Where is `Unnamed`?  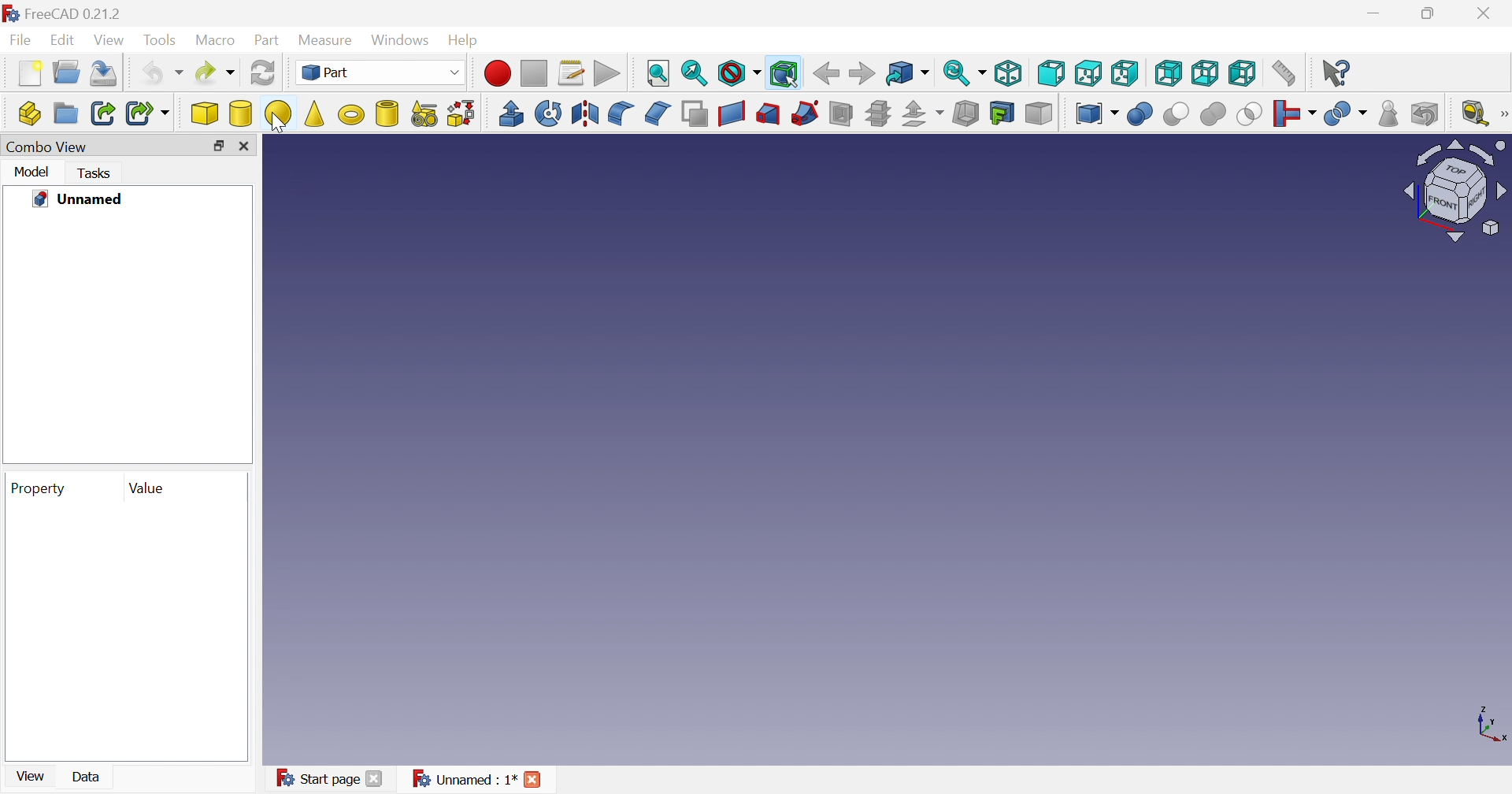 Unnamed is located at coordinates (79, 198).